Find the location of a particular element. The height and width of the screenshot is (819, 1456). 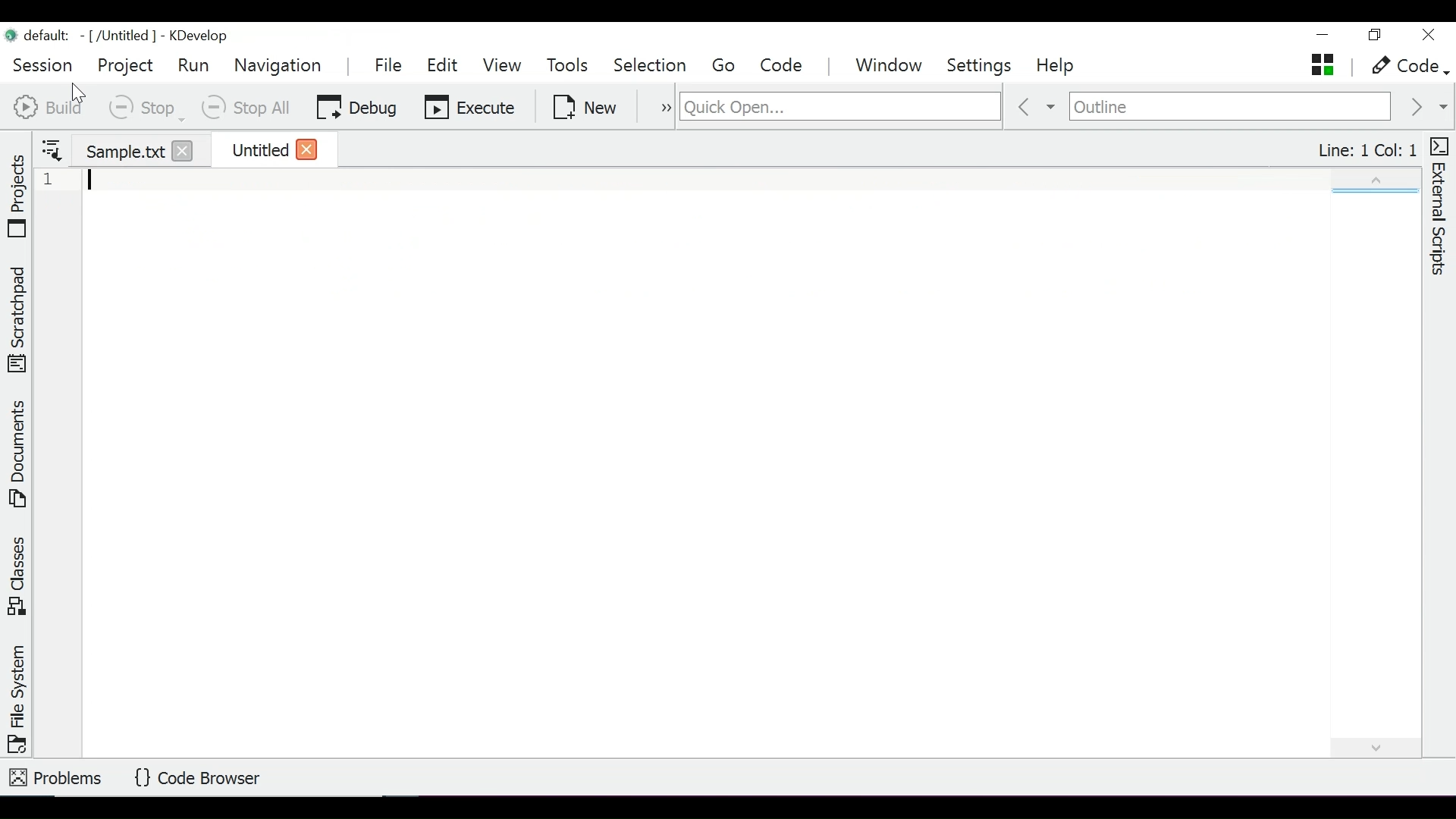

Toggle Documents tool view is located at coordinates (17, 453).